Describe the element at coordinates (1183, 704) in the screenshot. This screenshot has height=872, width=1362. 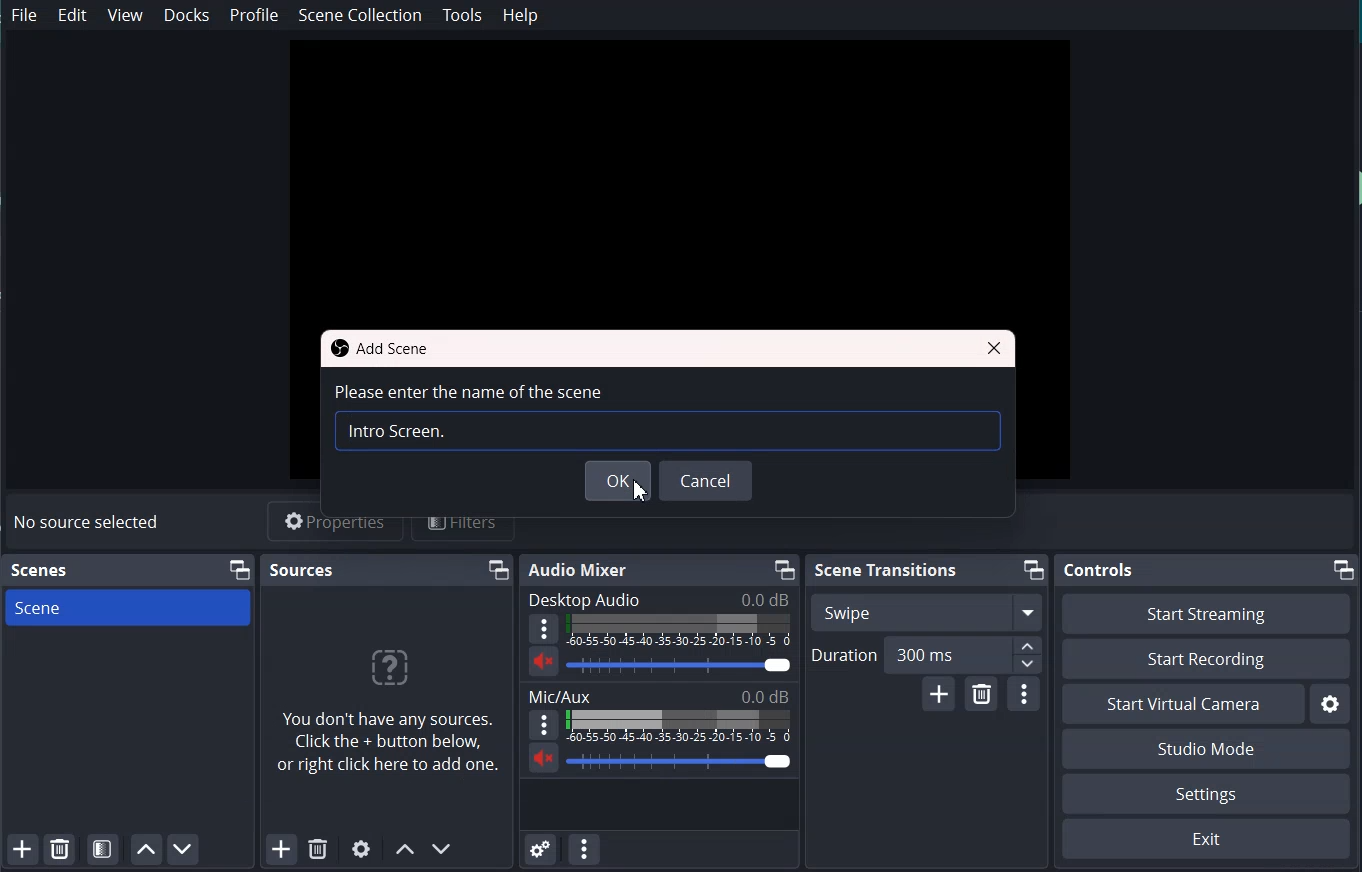
I see `Start Virtual Camera` at that location.